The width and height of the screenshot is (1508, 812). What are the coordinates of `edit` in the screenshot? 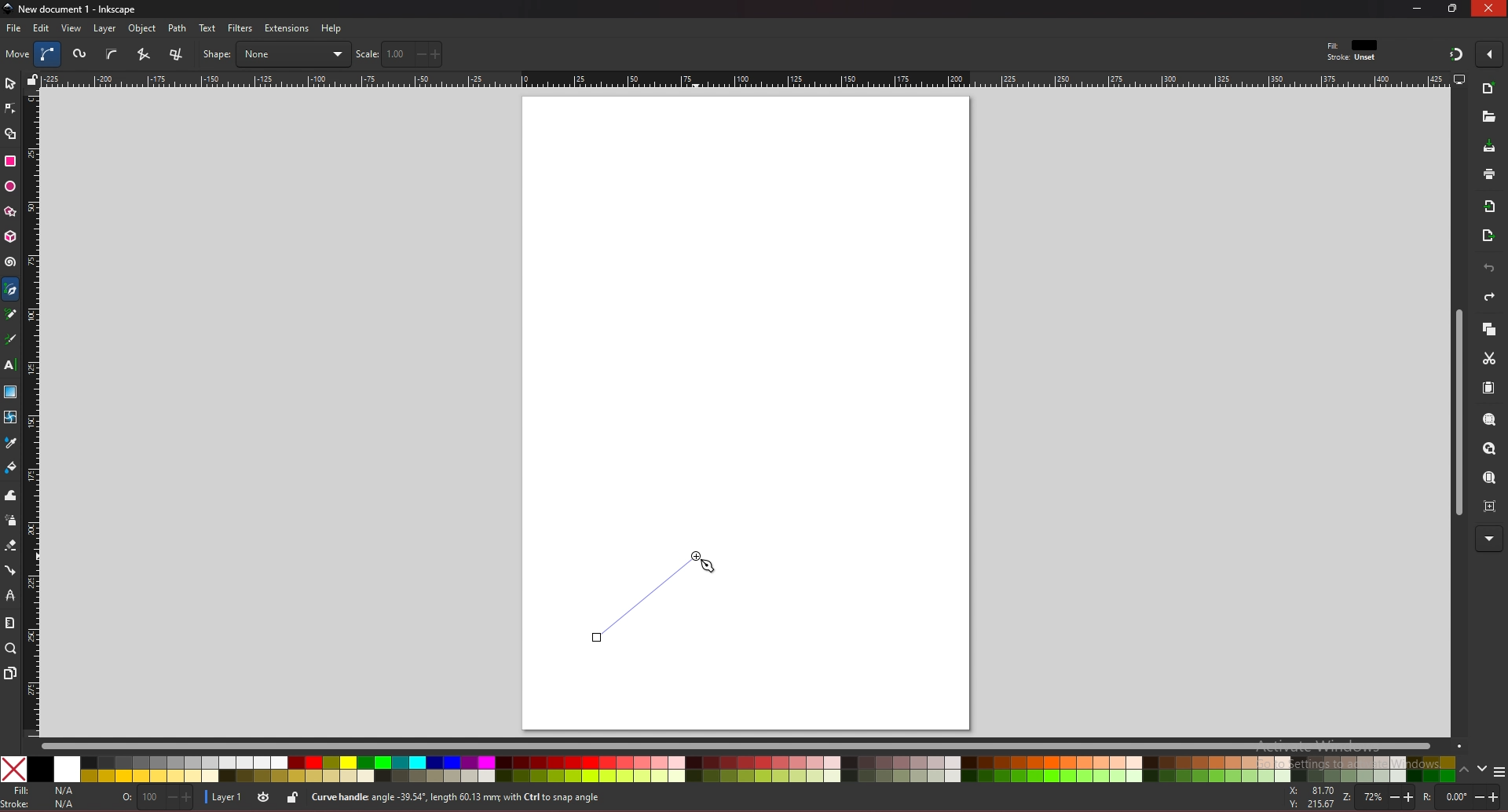 It's located at (42, 27).